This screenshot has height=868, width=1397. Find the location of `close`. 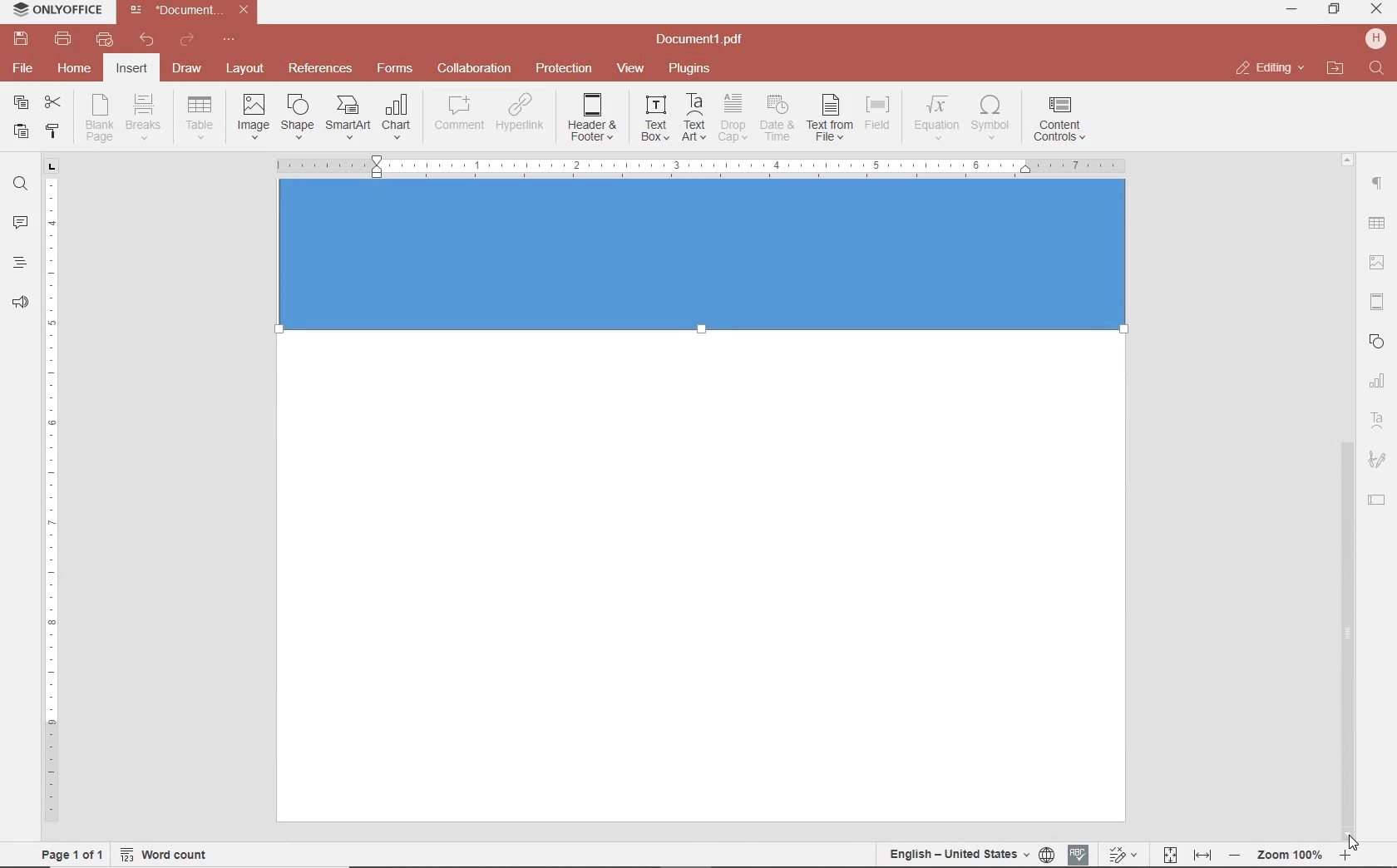

close is located at coordinates (1269, 68).